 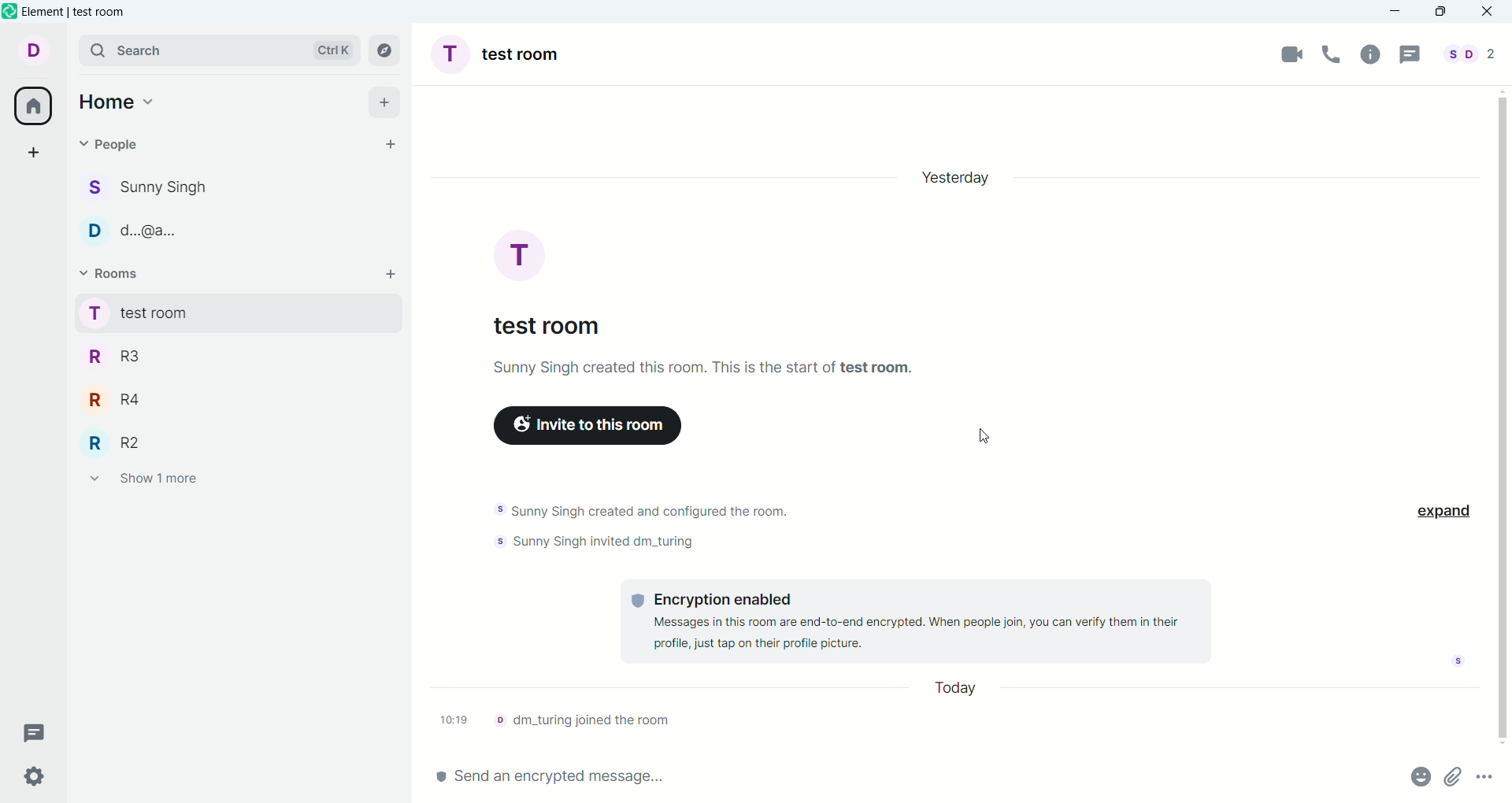 What do you see at coordinates (1489, 777) in the screenshot?
I see `options` at bounding box center [1489, 777].